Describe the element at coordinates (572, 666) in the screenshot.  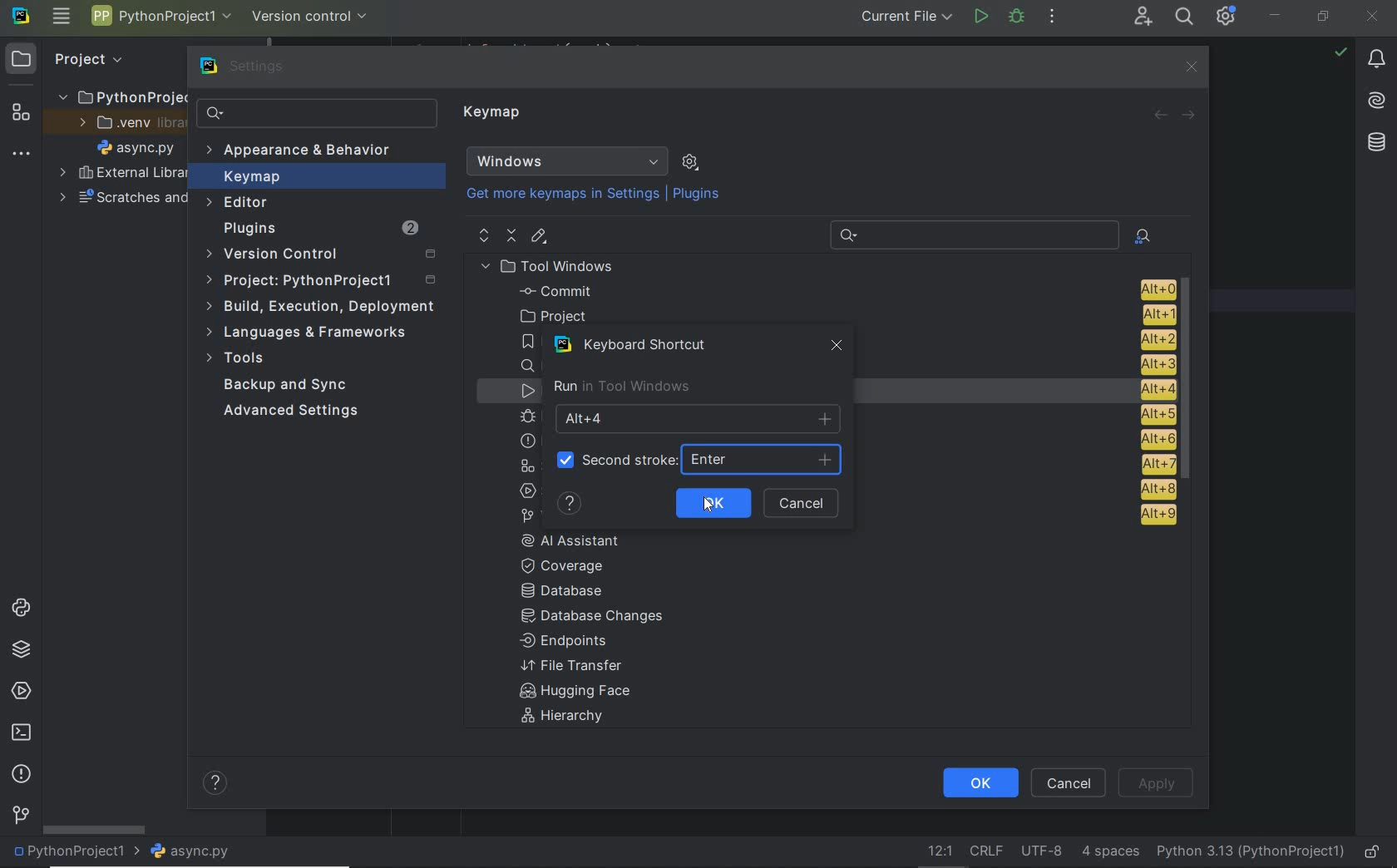
I see `File Transfer` at that location.